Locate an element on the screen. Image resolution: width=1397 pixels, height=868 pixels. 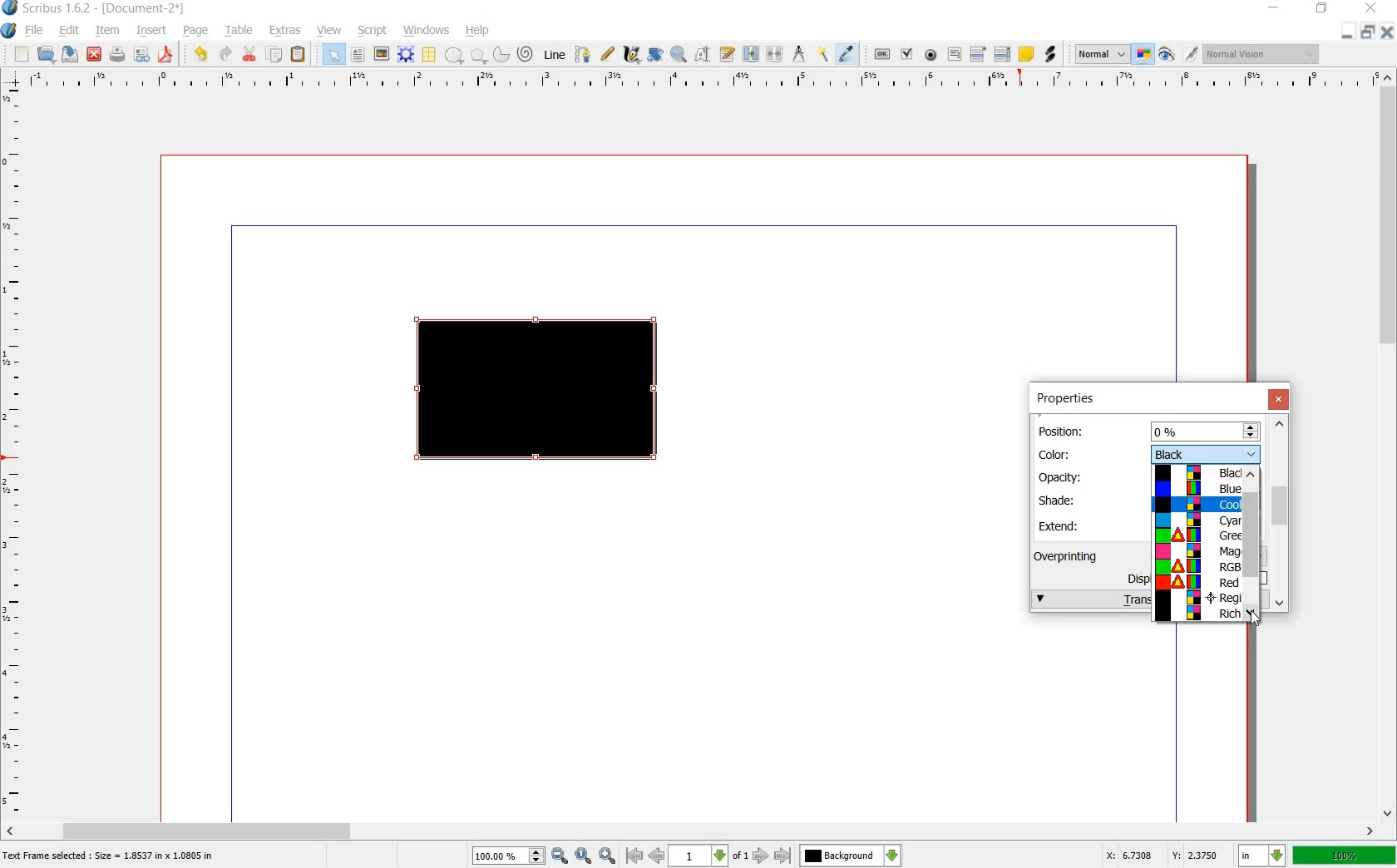
select the image preview quality is located at coordinates (1102, 55).